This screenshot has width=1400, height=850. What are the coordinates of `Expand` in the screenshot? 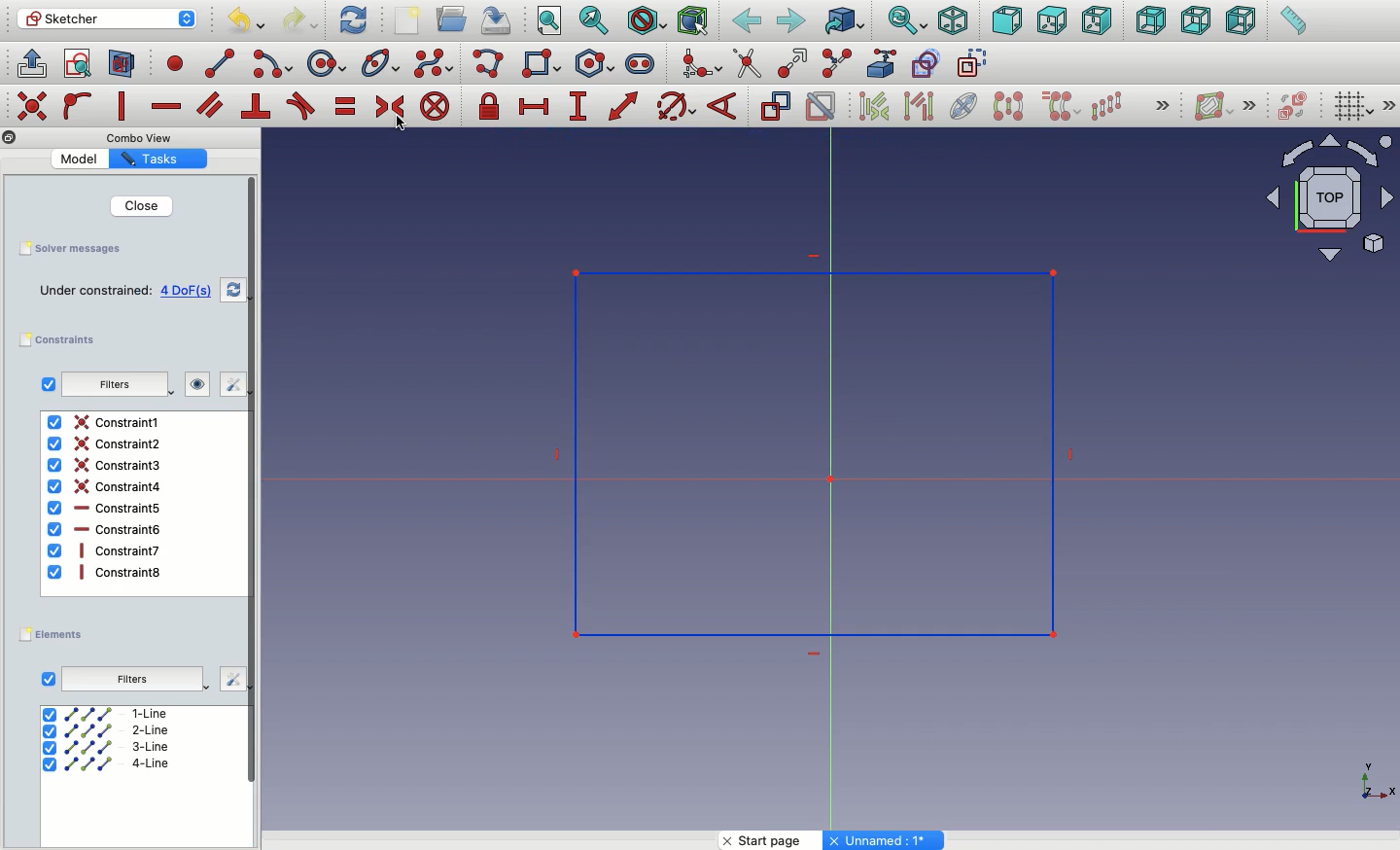 It's located at (1390, 105).